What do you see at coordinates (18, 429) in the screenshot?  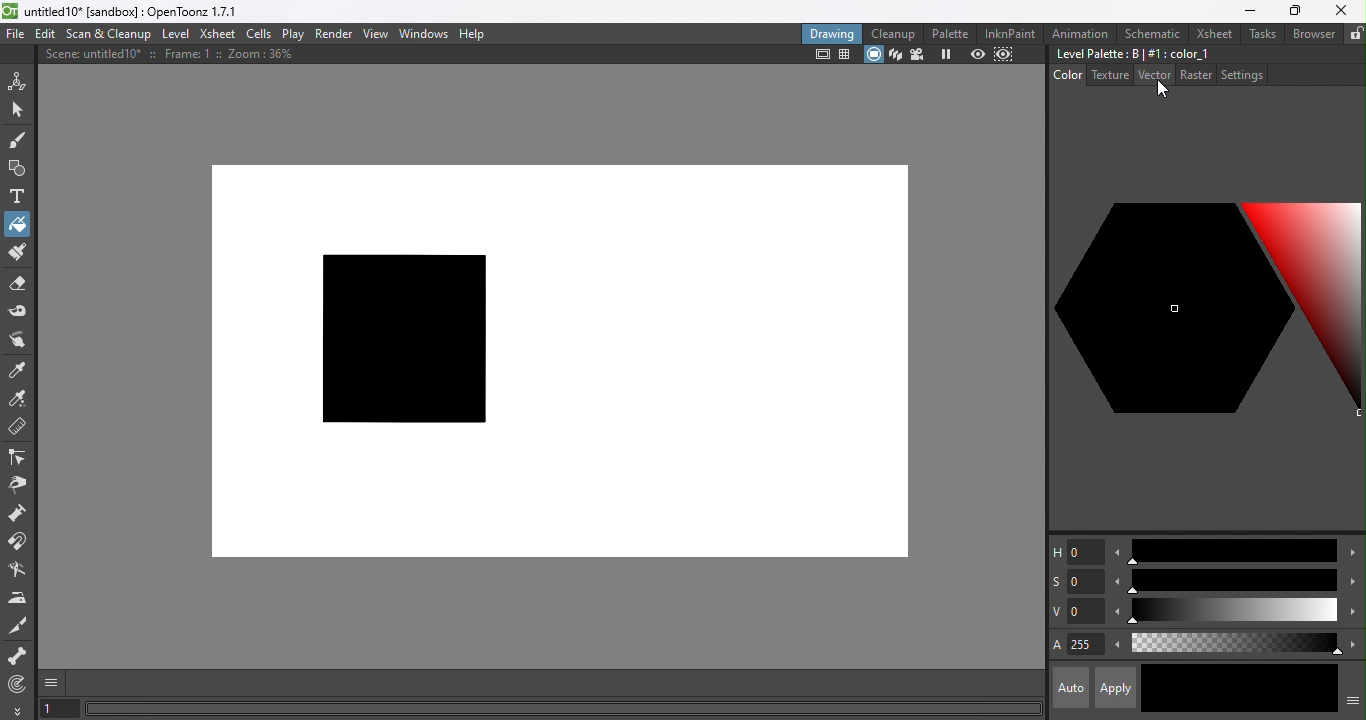 I see `Ruler tool` at bounding box center [18, 429].